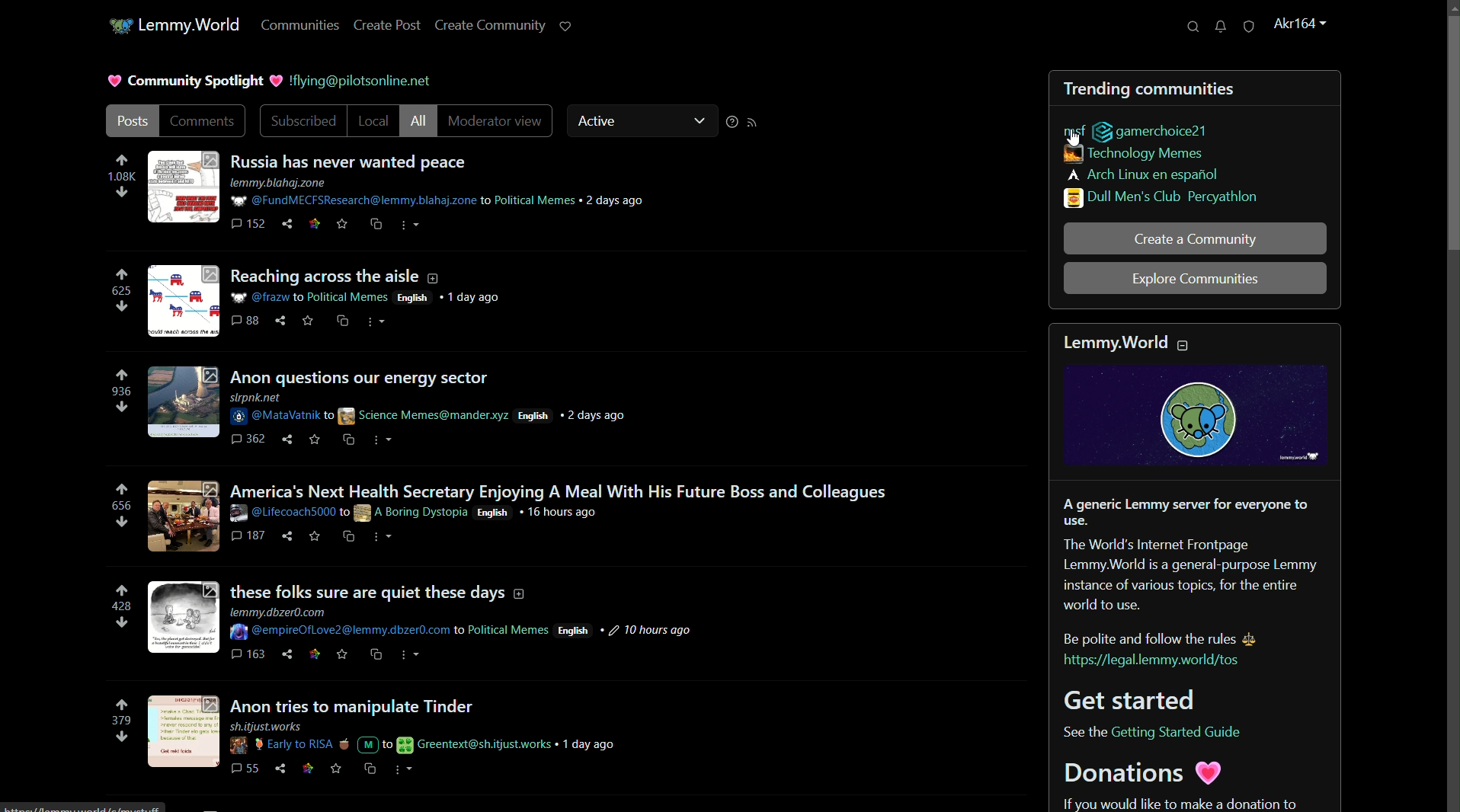 The image size is (1460, 812). I want to click on community name 1, so click(1148, 130).